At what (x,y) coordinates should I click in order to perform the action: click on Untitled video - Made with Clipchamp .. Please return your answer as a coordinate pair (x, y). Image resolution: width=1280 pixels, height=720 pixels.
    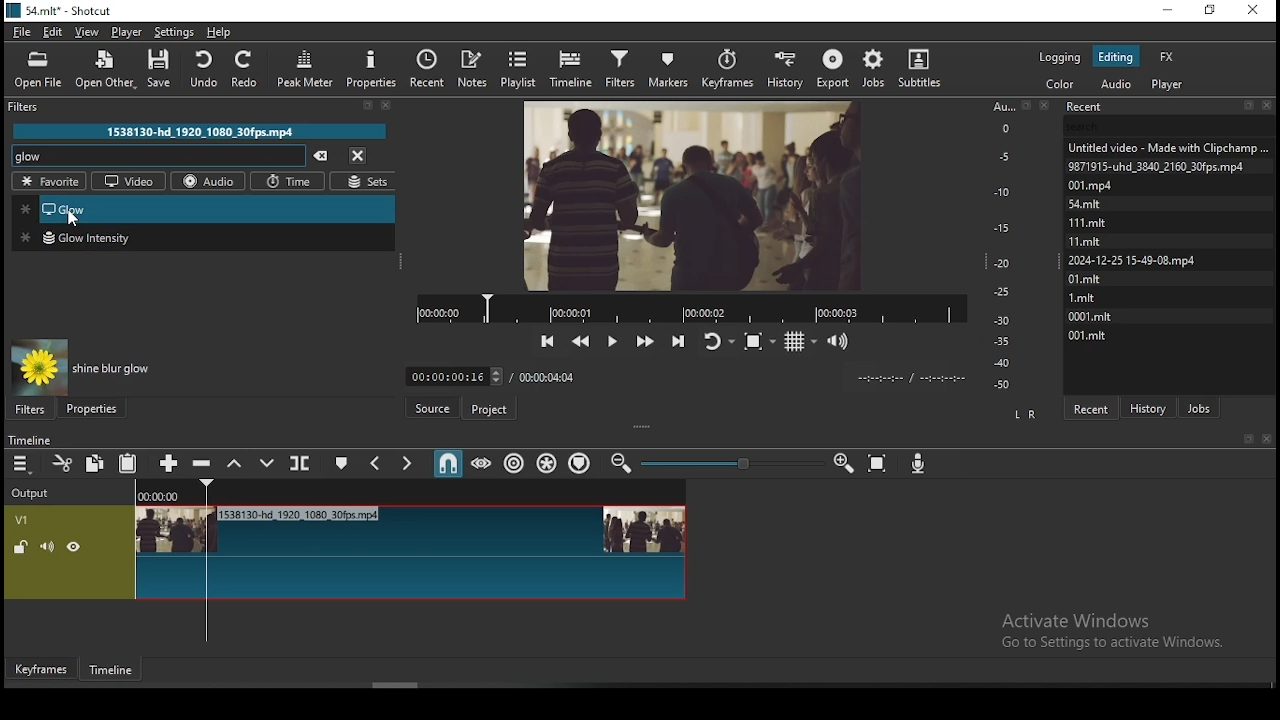
    Looking at the image, I should click on (1167, 146).